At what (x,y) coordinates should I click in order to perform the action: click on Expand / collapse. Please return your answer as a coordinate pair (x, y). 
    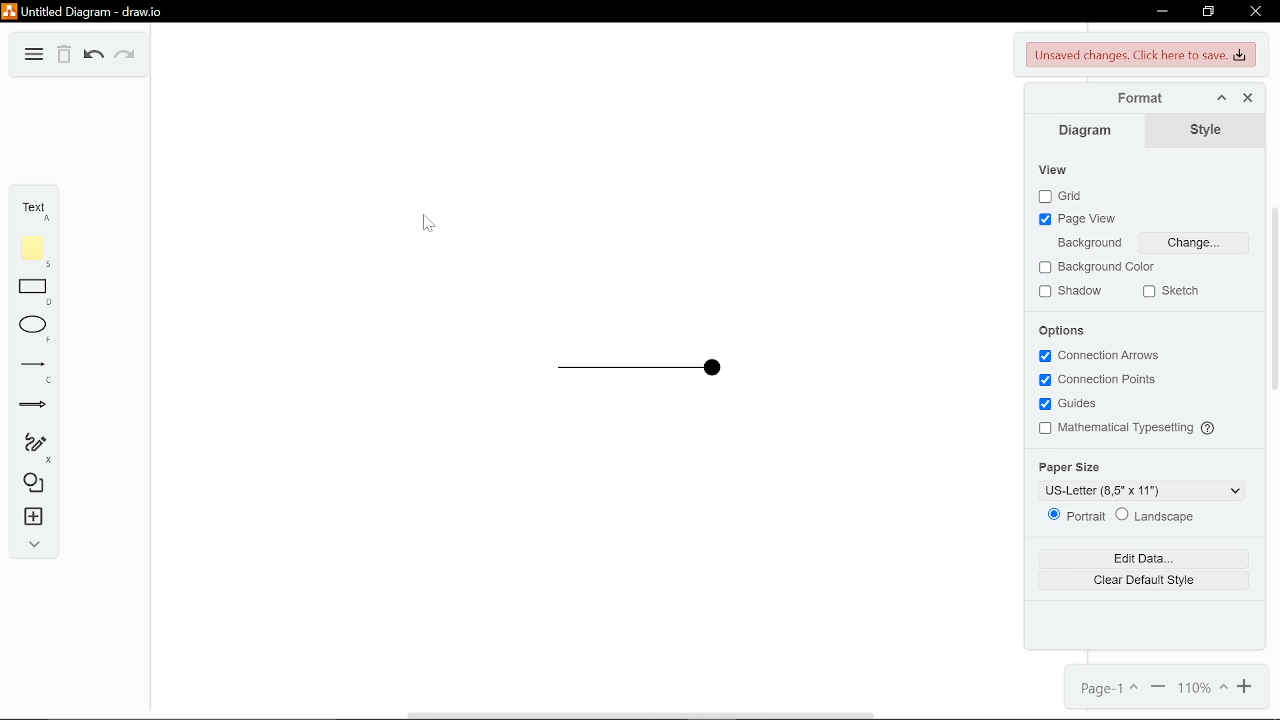
    Looking at the image, I should click on (34, 542).